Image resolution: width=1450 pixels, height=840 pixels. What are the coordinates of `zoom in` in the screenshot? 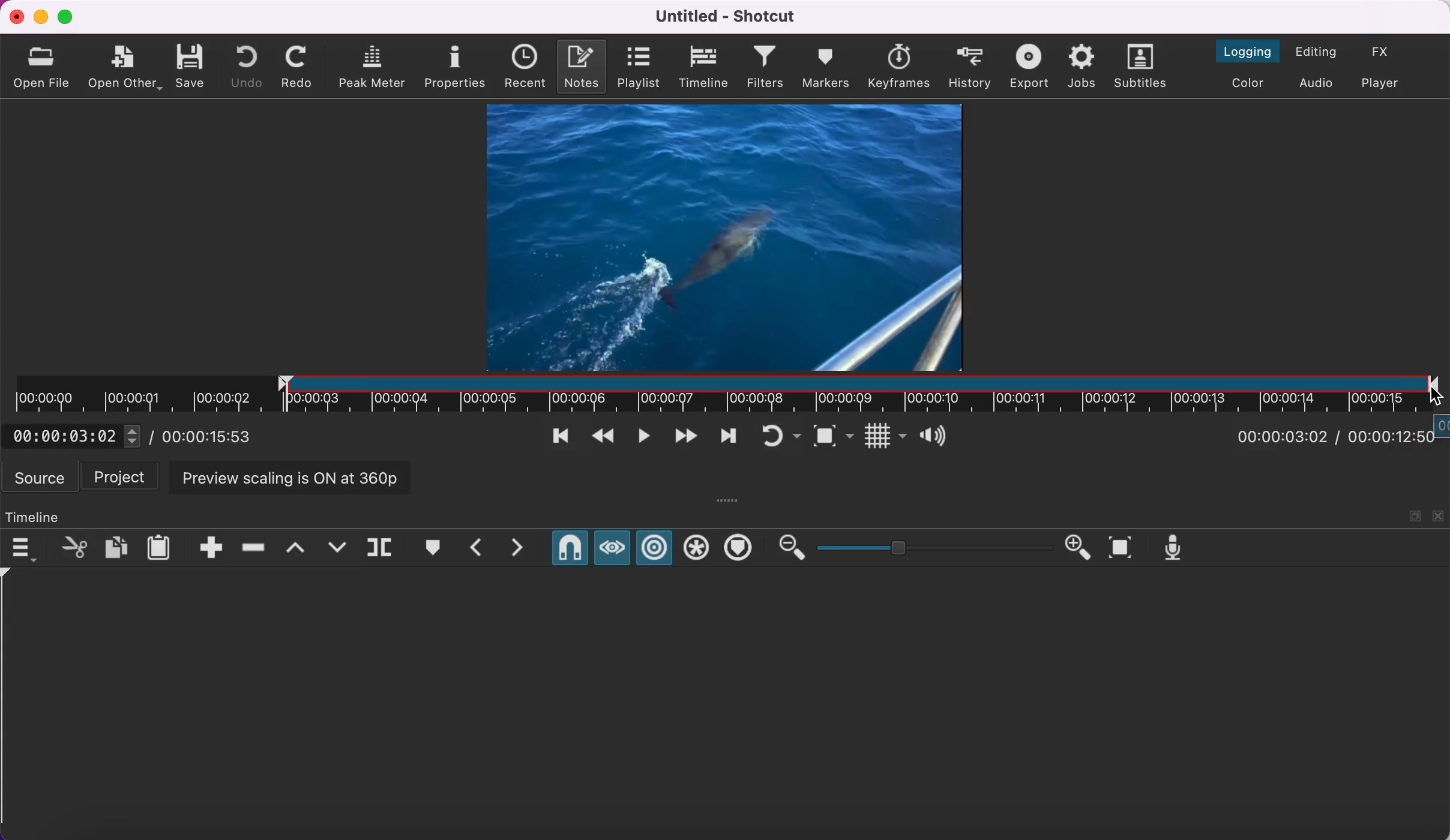 It's located at (1081, 548).